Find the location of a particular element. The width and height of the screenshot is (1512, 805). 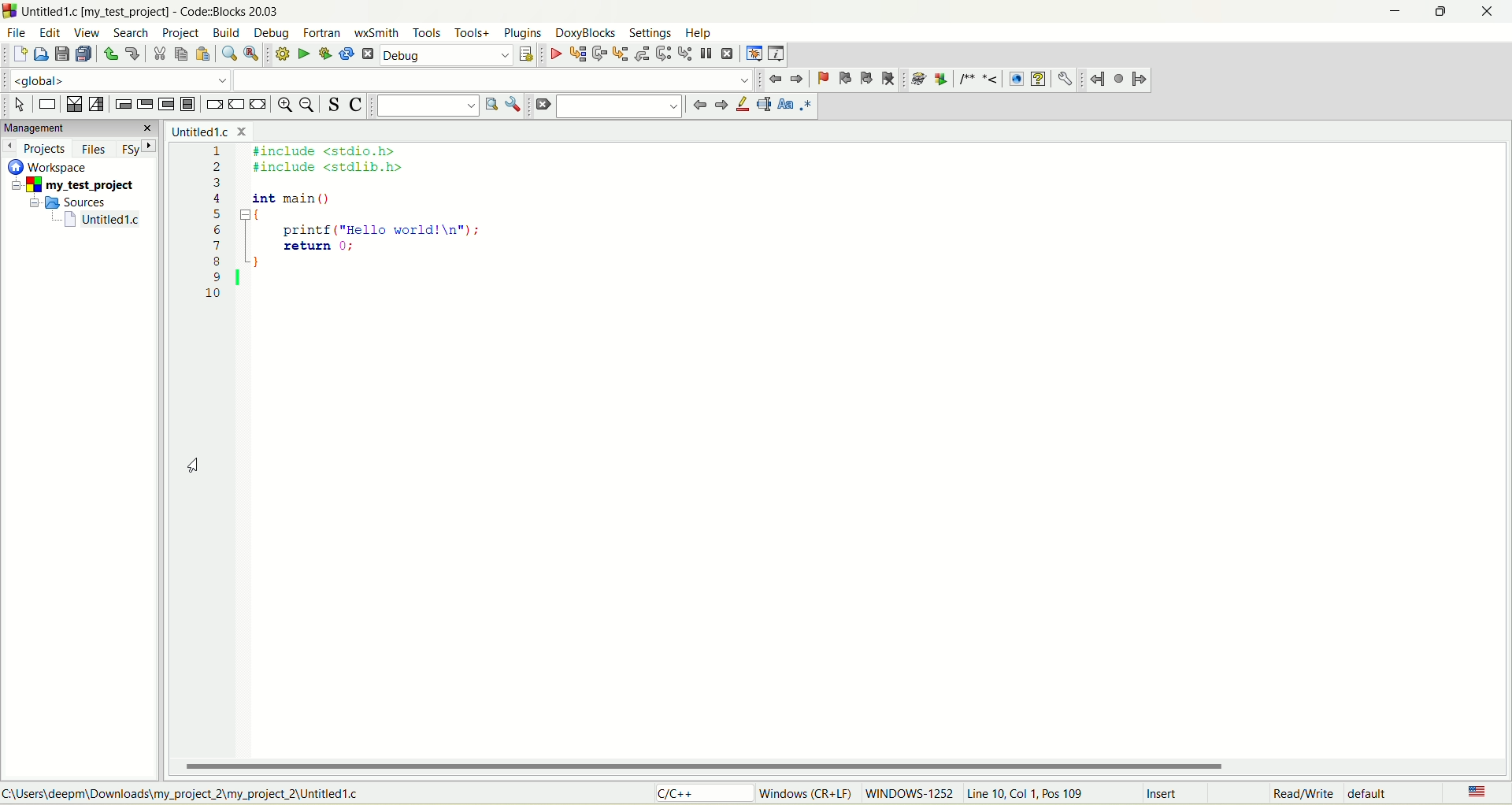

toggle bookmark is located at coordinates (822, 79).